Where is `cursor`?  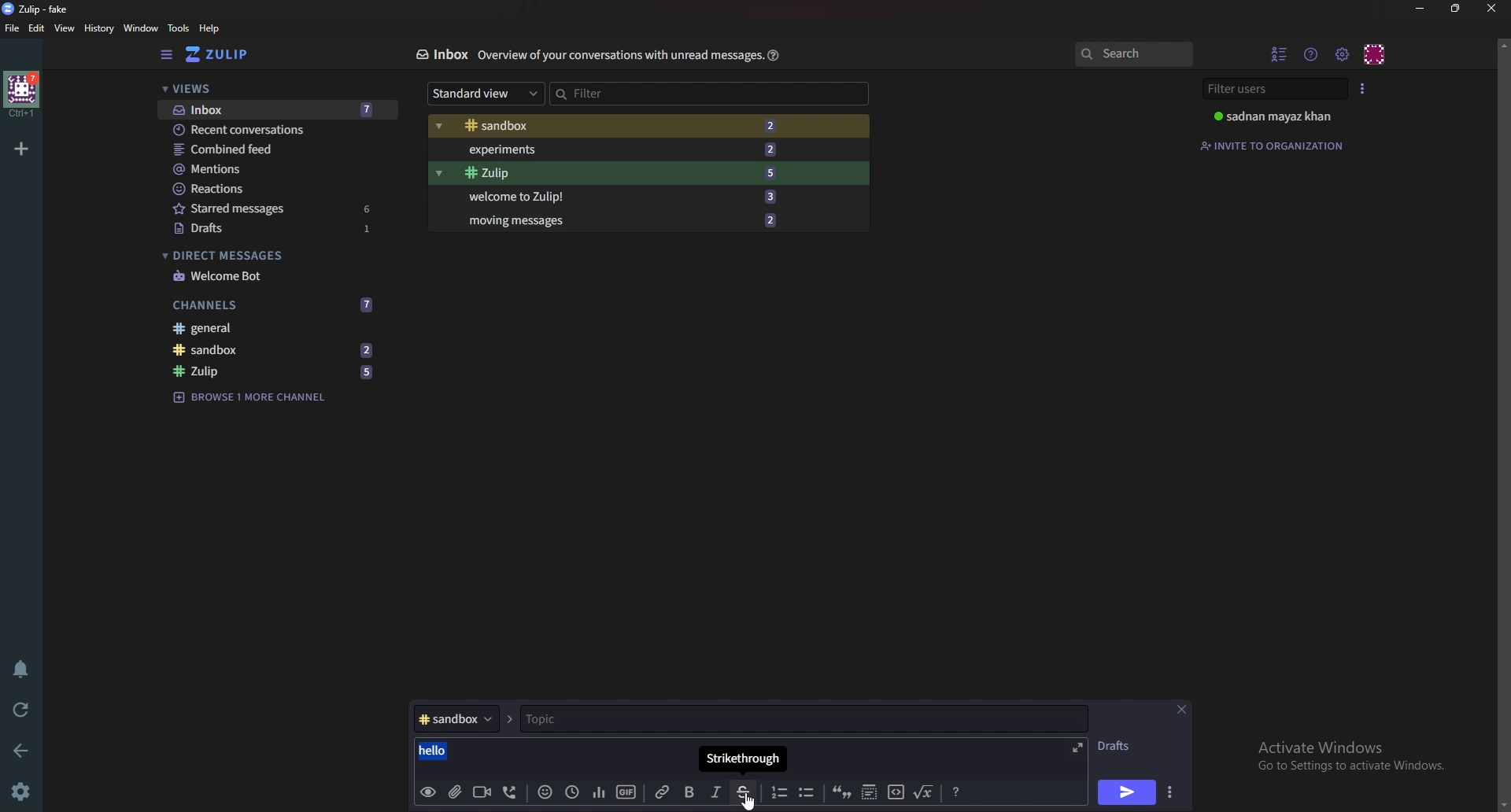
cursor is located at coordinates (748, 802).